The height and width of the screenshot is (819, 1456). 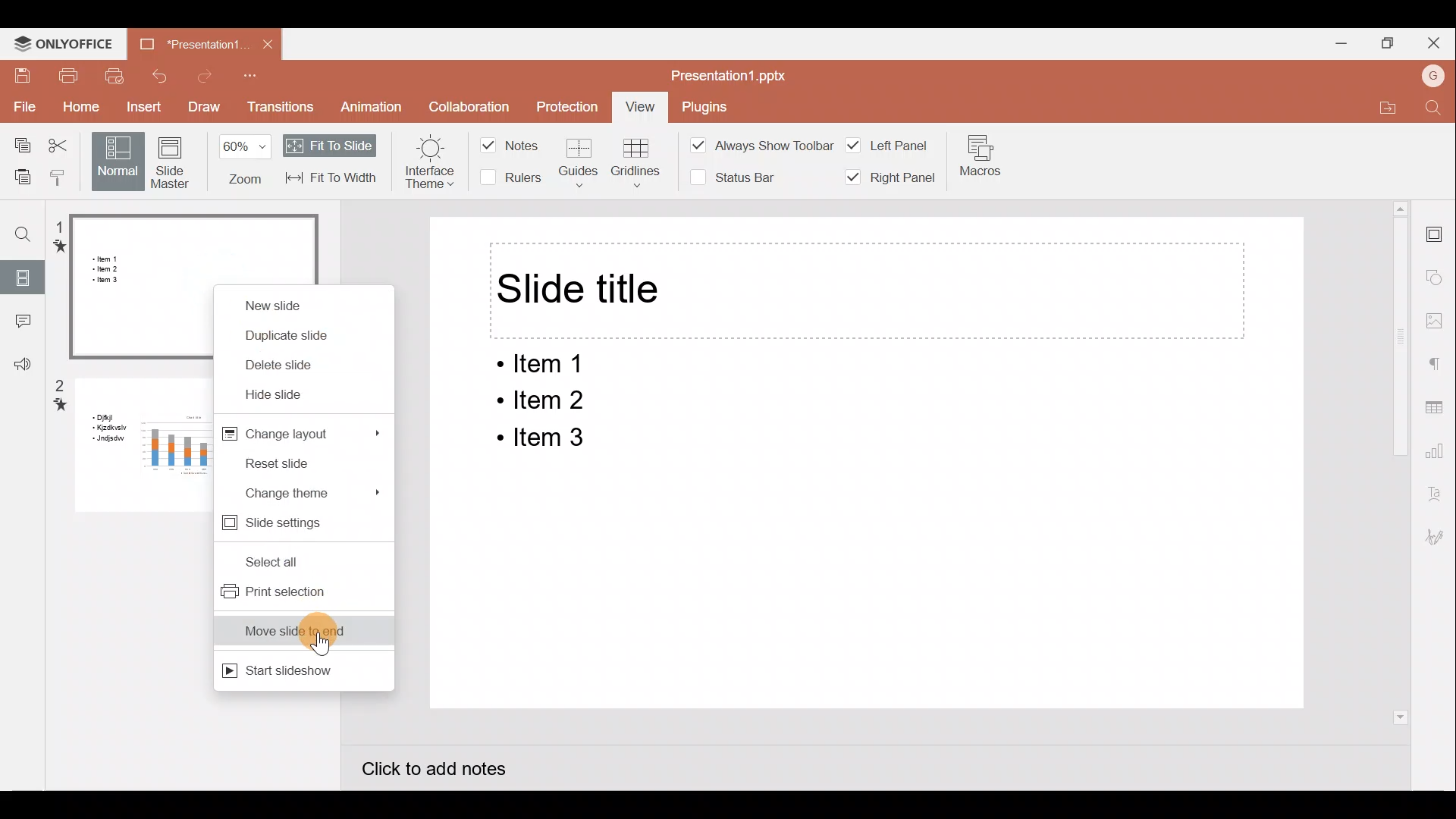 What do you see at coordinates (381, 104) in the screenshot?
I see `Animation` at bounding box center [381, 104].